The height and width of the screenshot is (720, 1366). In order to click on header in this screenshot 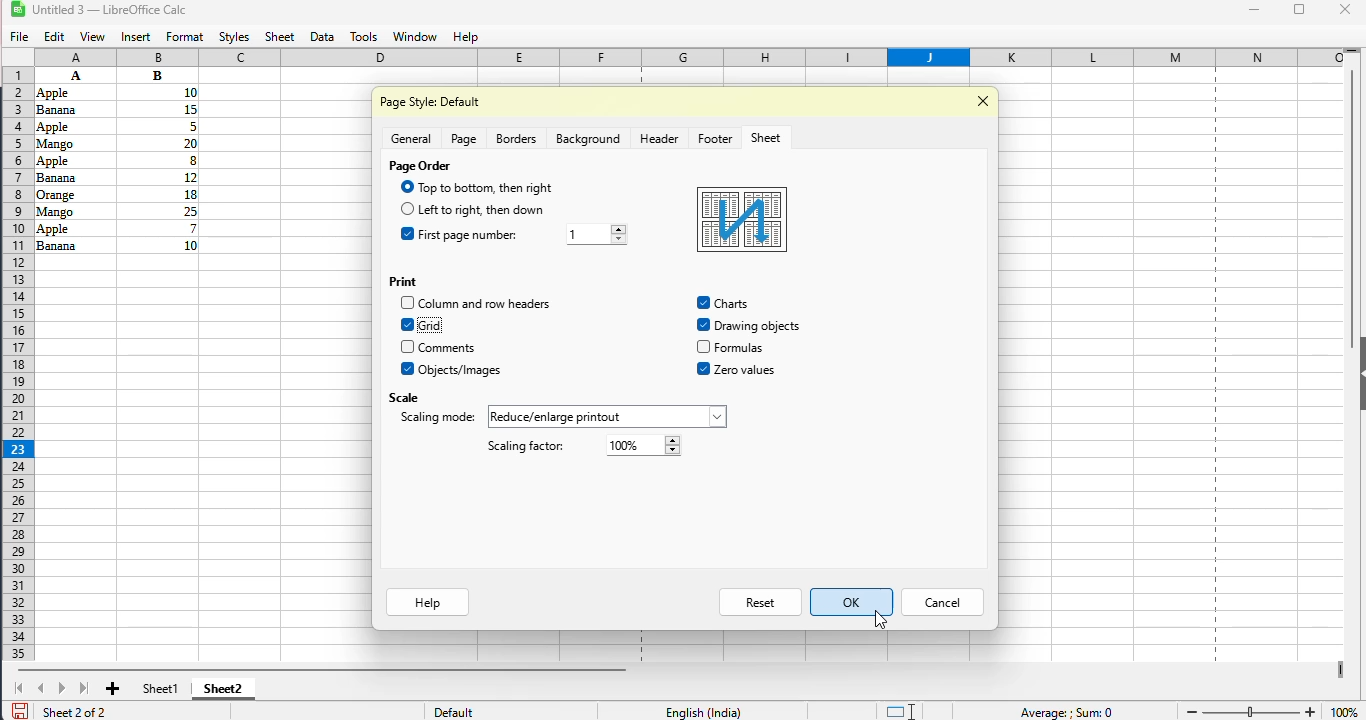, I will do `click(659, 138)`.